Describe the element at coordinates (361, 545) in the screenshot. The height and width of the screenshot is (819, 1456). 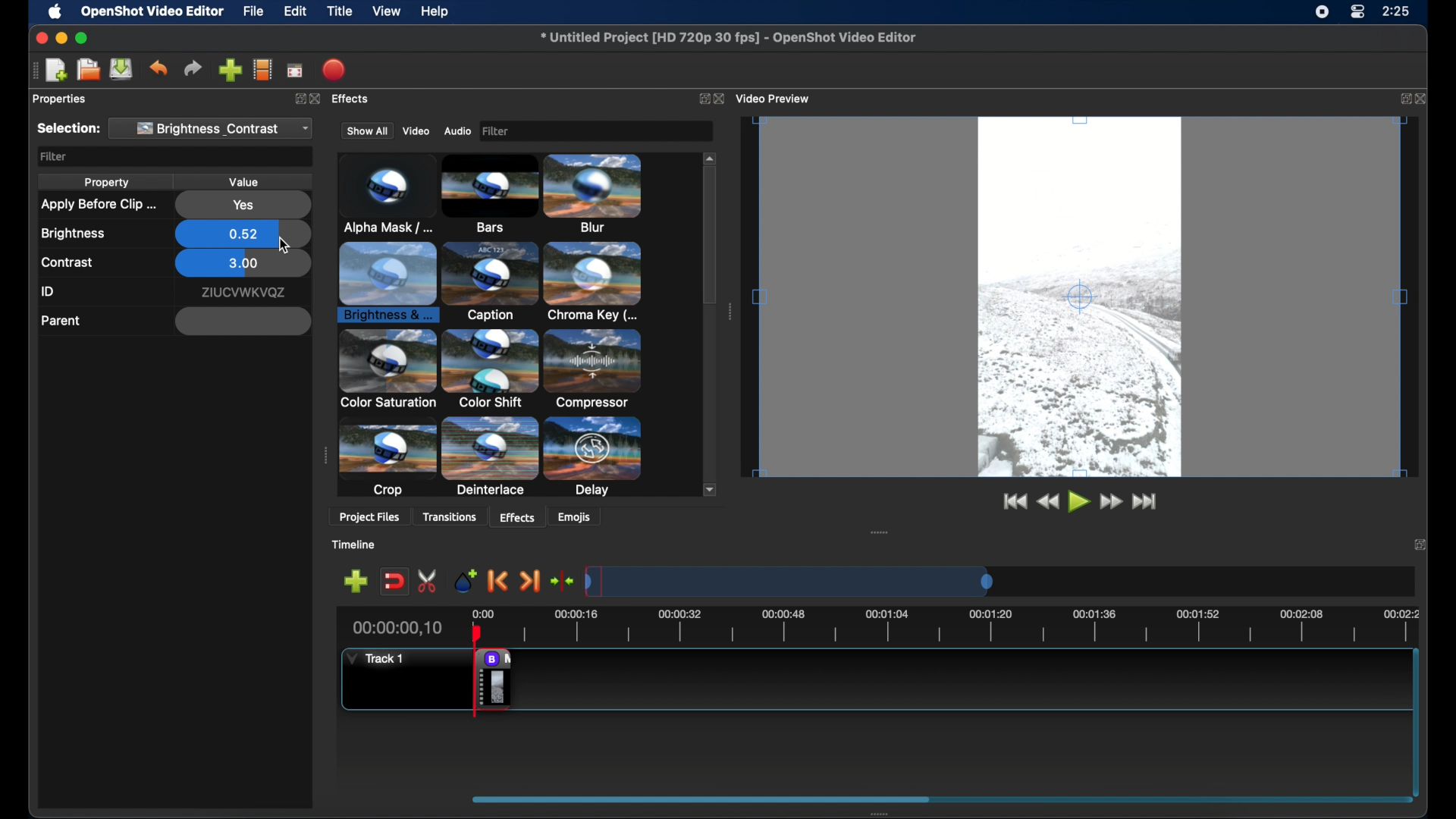
I see `timeline` at that location.